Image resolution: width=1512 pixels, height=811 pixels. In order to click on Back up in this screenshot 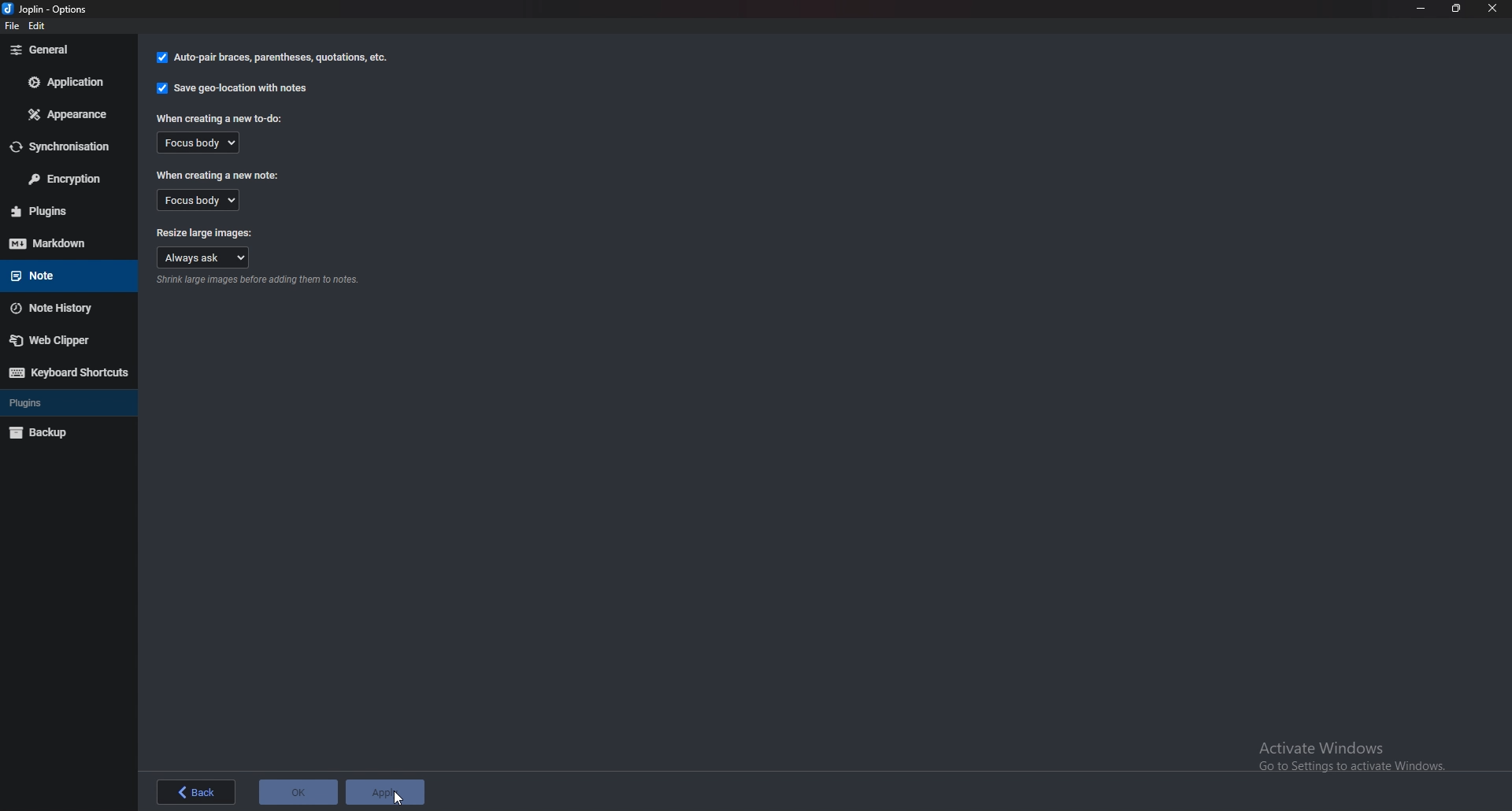, I will do `click(65, 431)`.